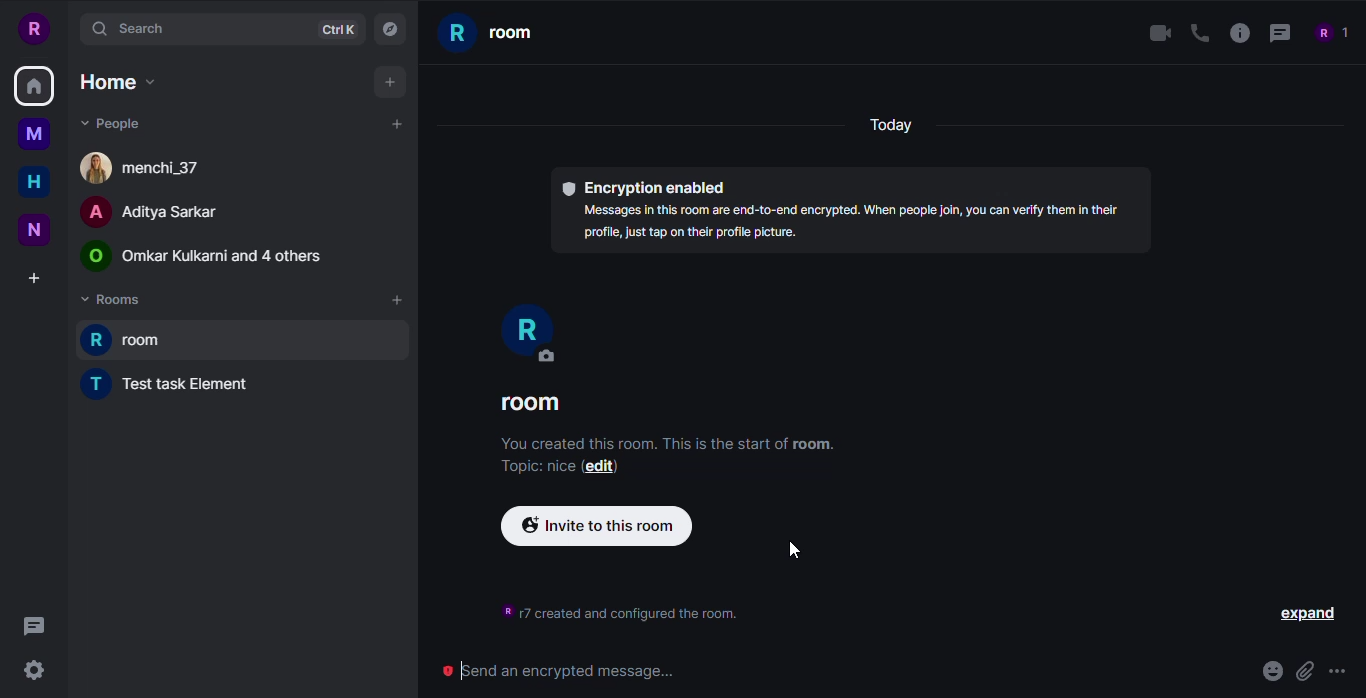 The height and width of the screenshot is (698, 1366). What do you see at coordinates (641, 186) in the screenshot?
I see `encryption enabled` at bounding box center [641, 186].